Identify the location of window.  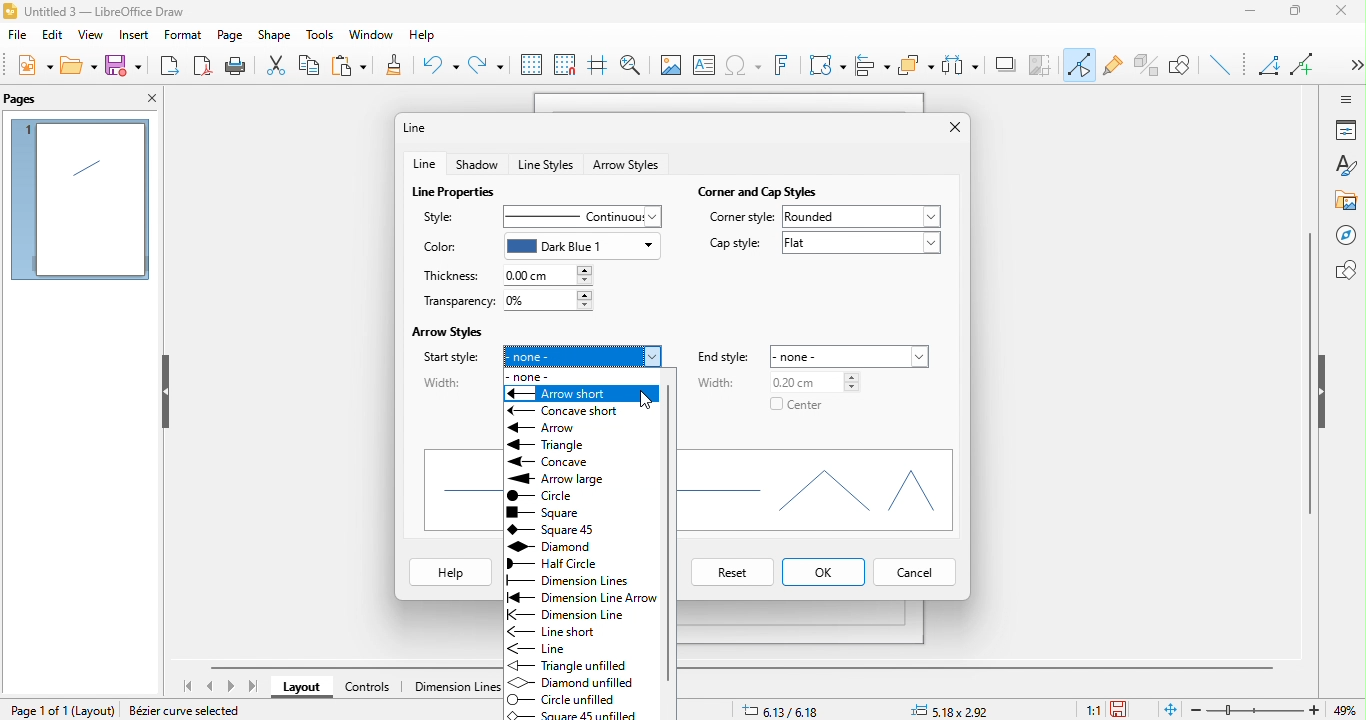
(368, 36).